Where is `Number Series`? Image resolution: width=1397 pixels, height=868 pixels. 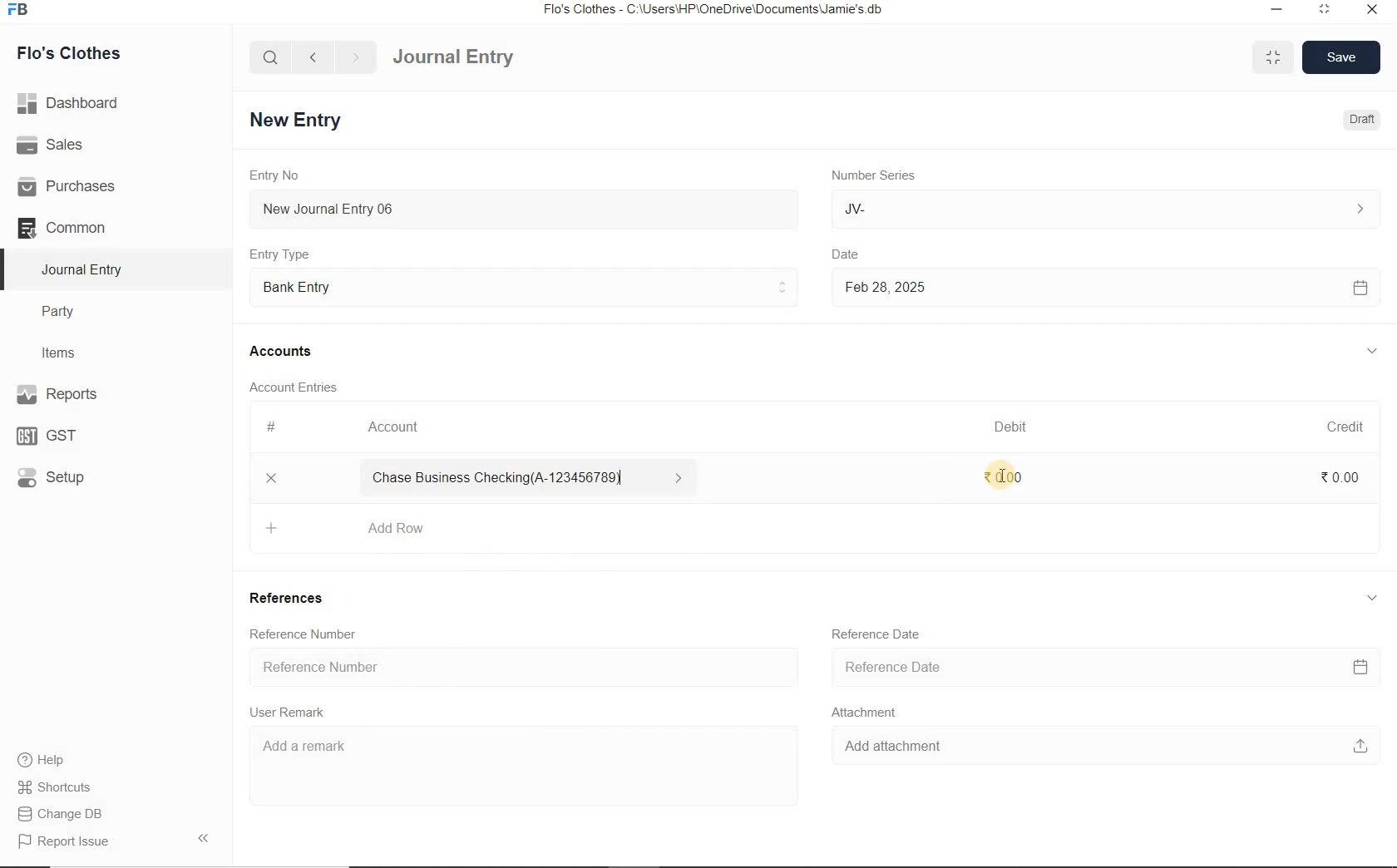
Number Series is located at coordinates (871, 175).